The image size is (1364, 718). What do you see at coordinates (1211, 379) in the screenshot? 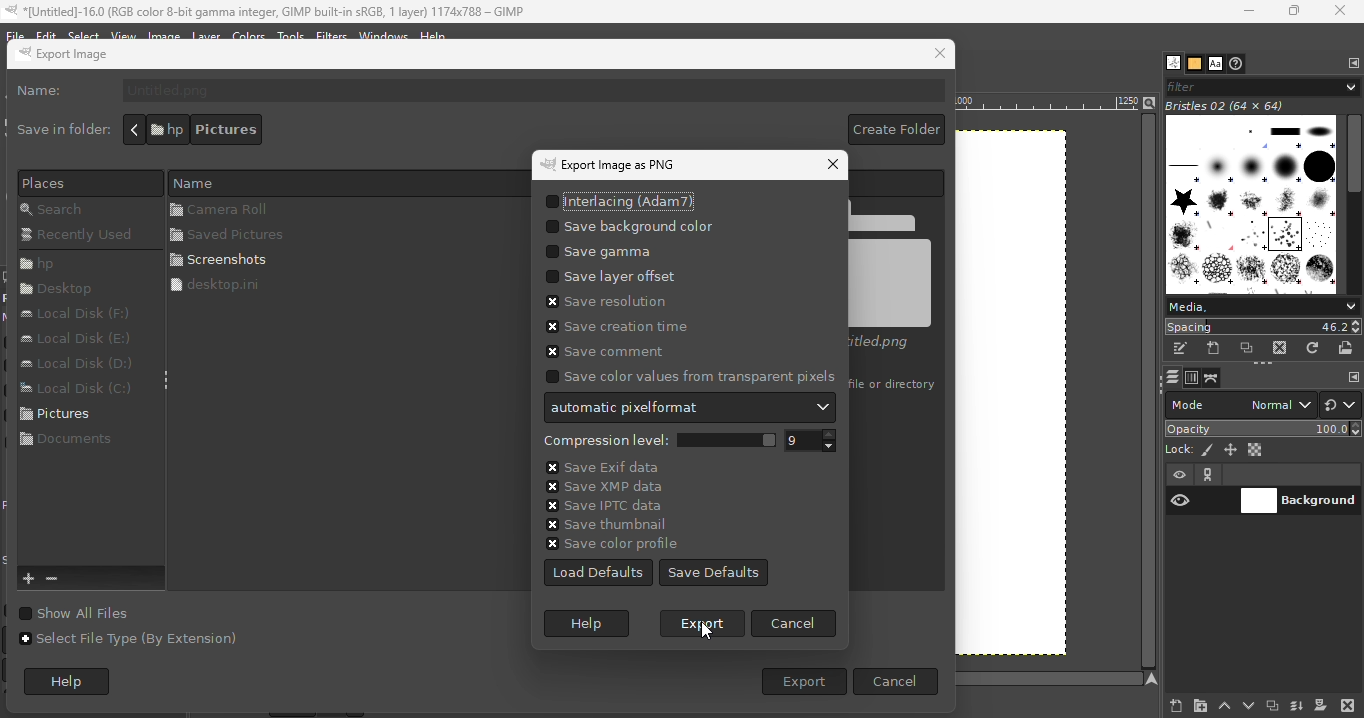
I see `Paths` at bounding box center [1211, 379].